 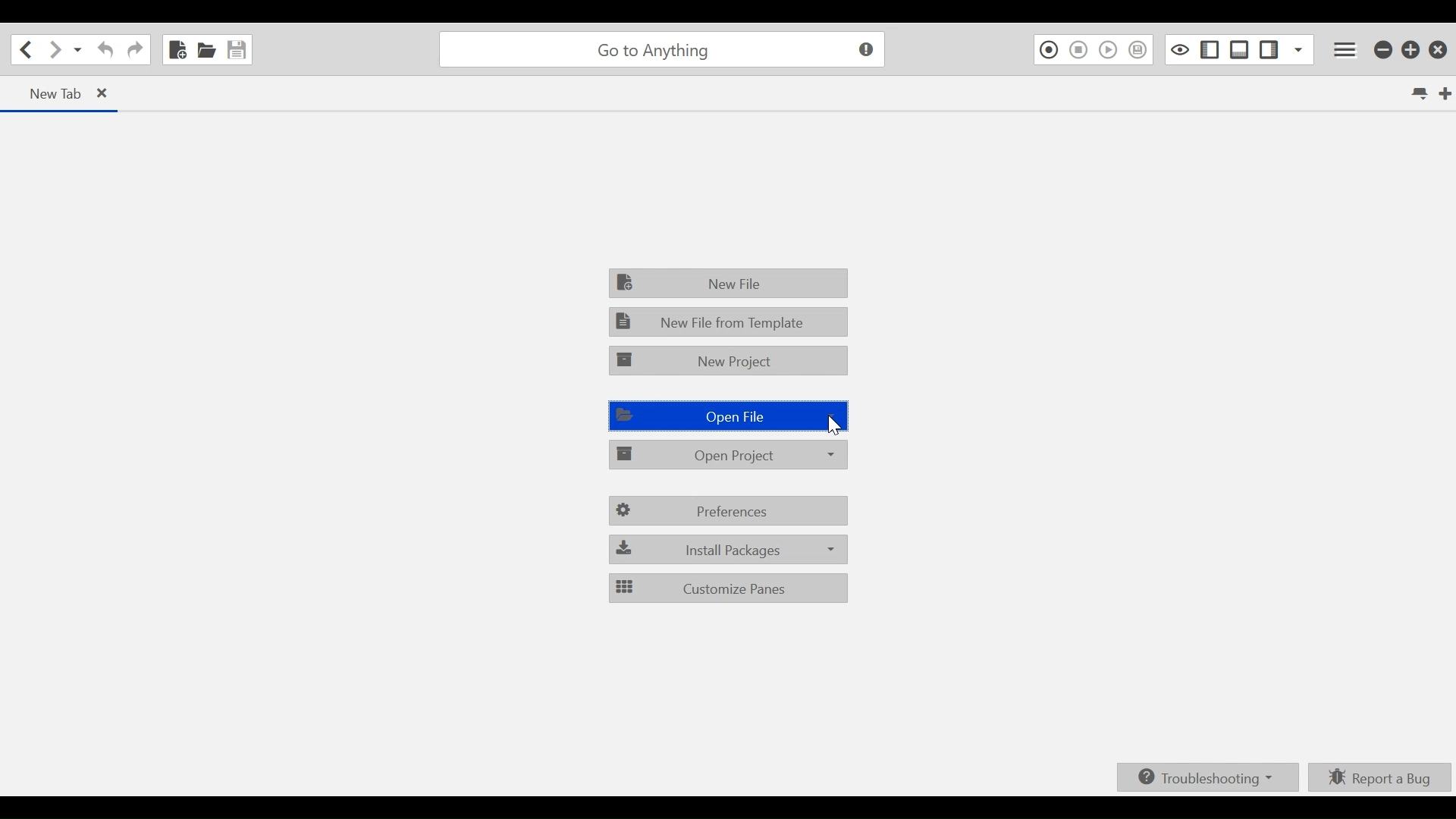 What do you see at coordinates (1078, 50) in the screenshot?
I see `Stop Recording Macro` at bounding box center [1078, 50].